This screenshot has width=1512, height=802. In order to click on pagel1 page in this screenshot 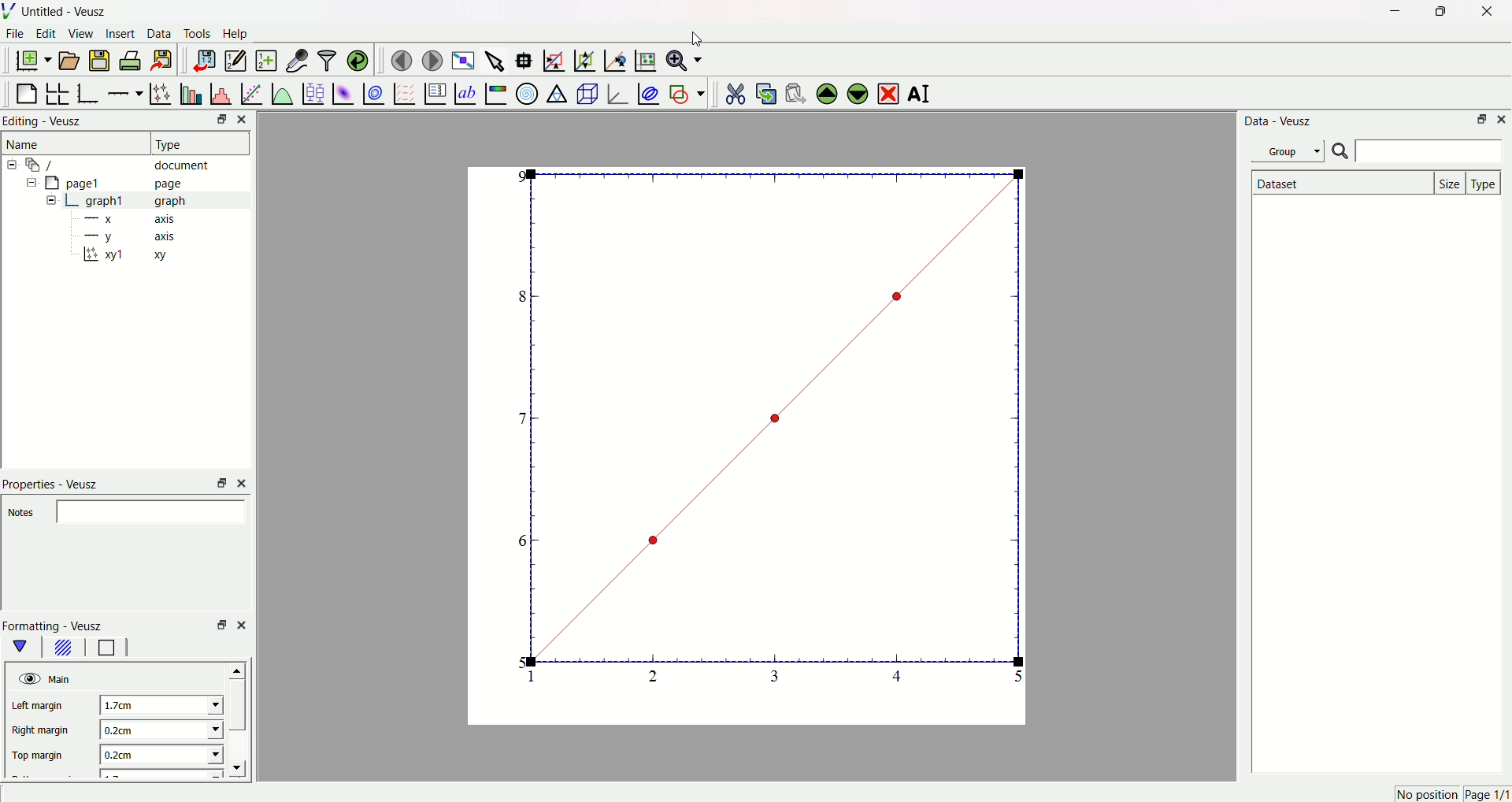, I will do `click(126, 183)`.